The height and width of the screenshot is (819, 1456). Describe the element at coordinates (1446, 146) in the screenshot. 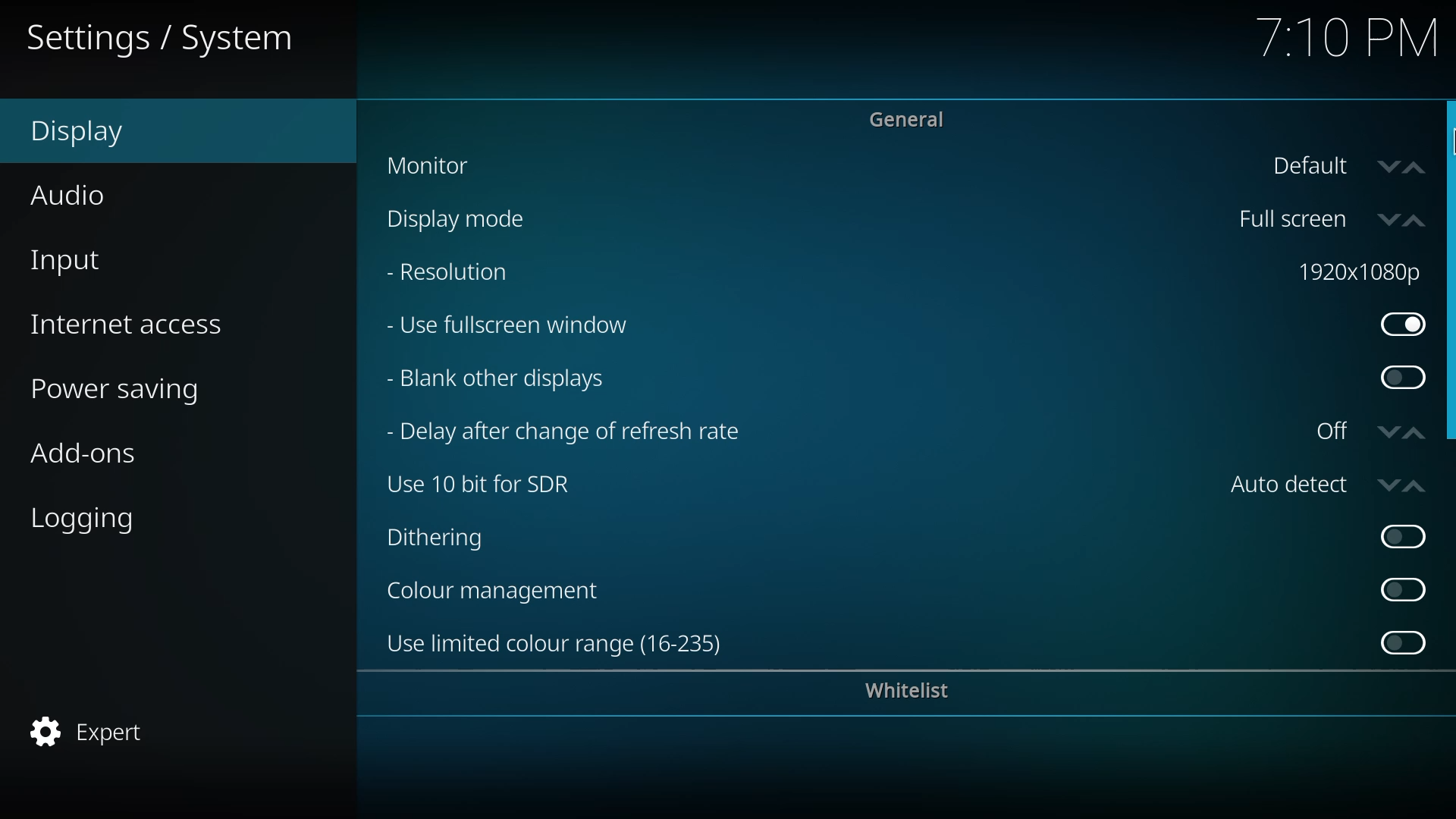

I see `cursor` at that location.